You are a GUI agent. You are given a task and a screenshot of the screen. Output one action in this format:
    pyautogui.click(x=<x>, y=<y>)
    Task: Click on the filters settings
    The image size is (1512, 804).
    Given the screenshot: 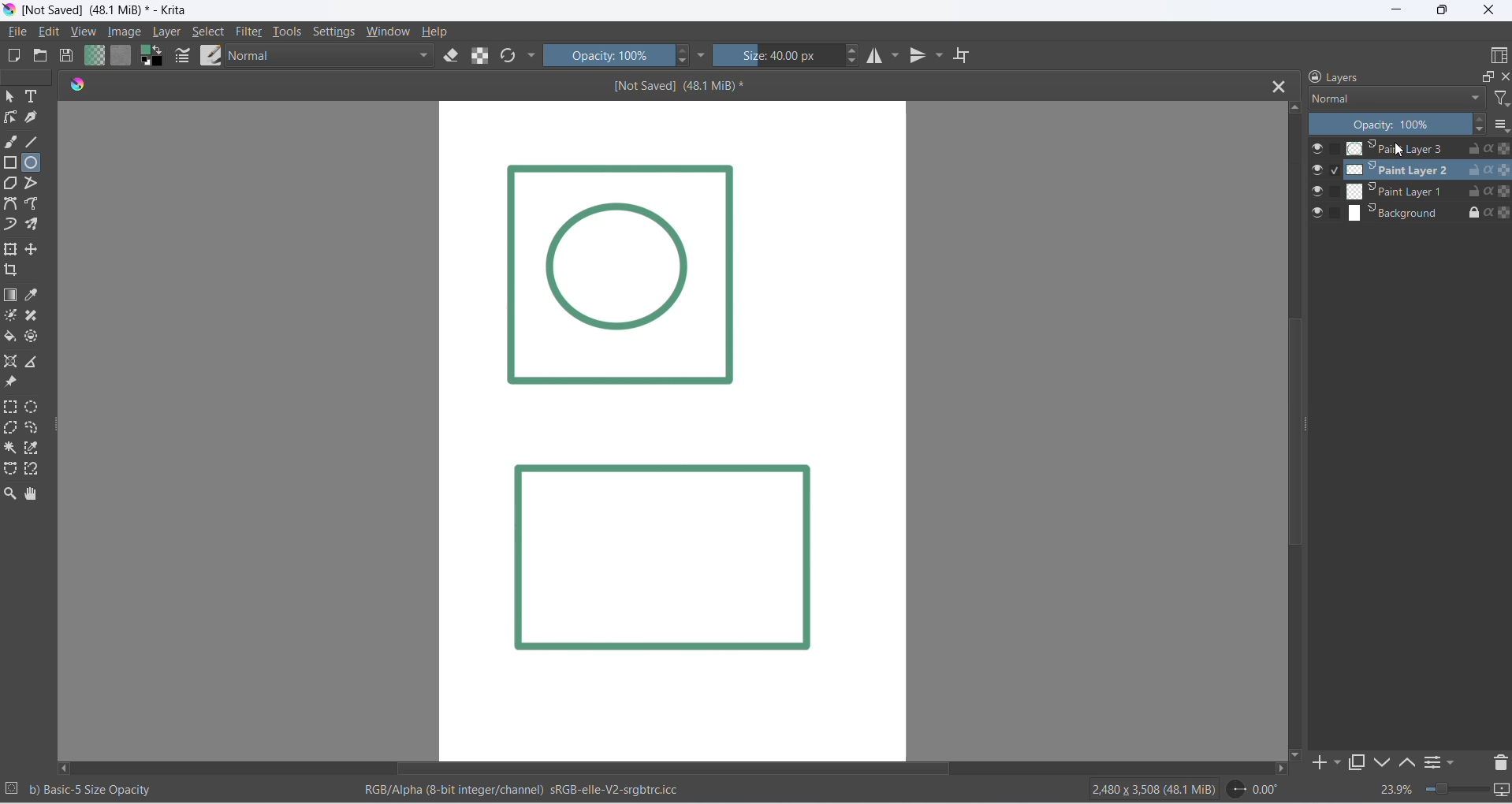 What is the action you would take?
    pyautogui.click(x=1455, y=761)
    